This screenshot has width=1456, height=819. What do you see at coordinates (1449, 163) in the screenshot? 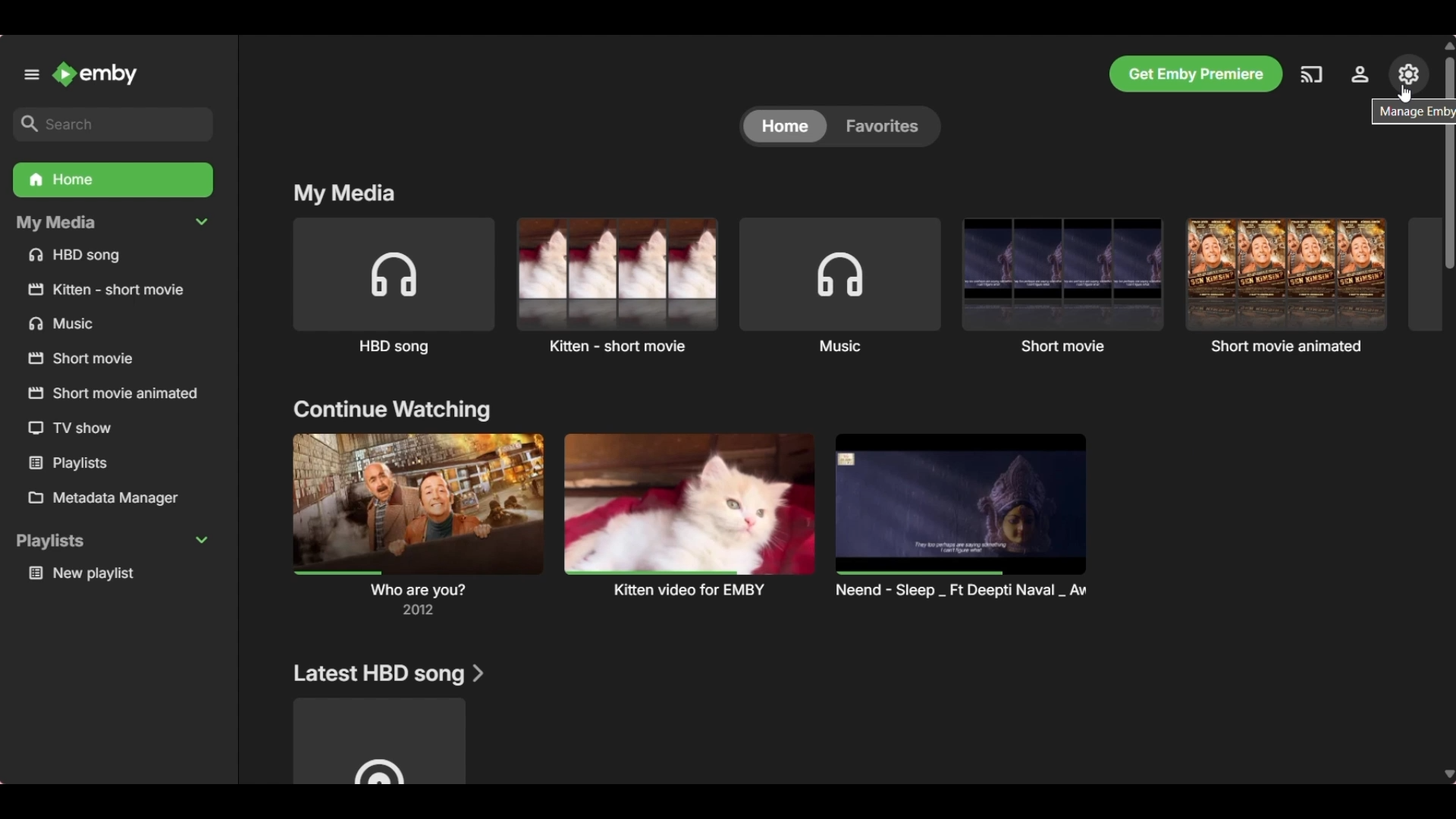
I see `Vertical slide bar` at bounding box center [1449, 163].